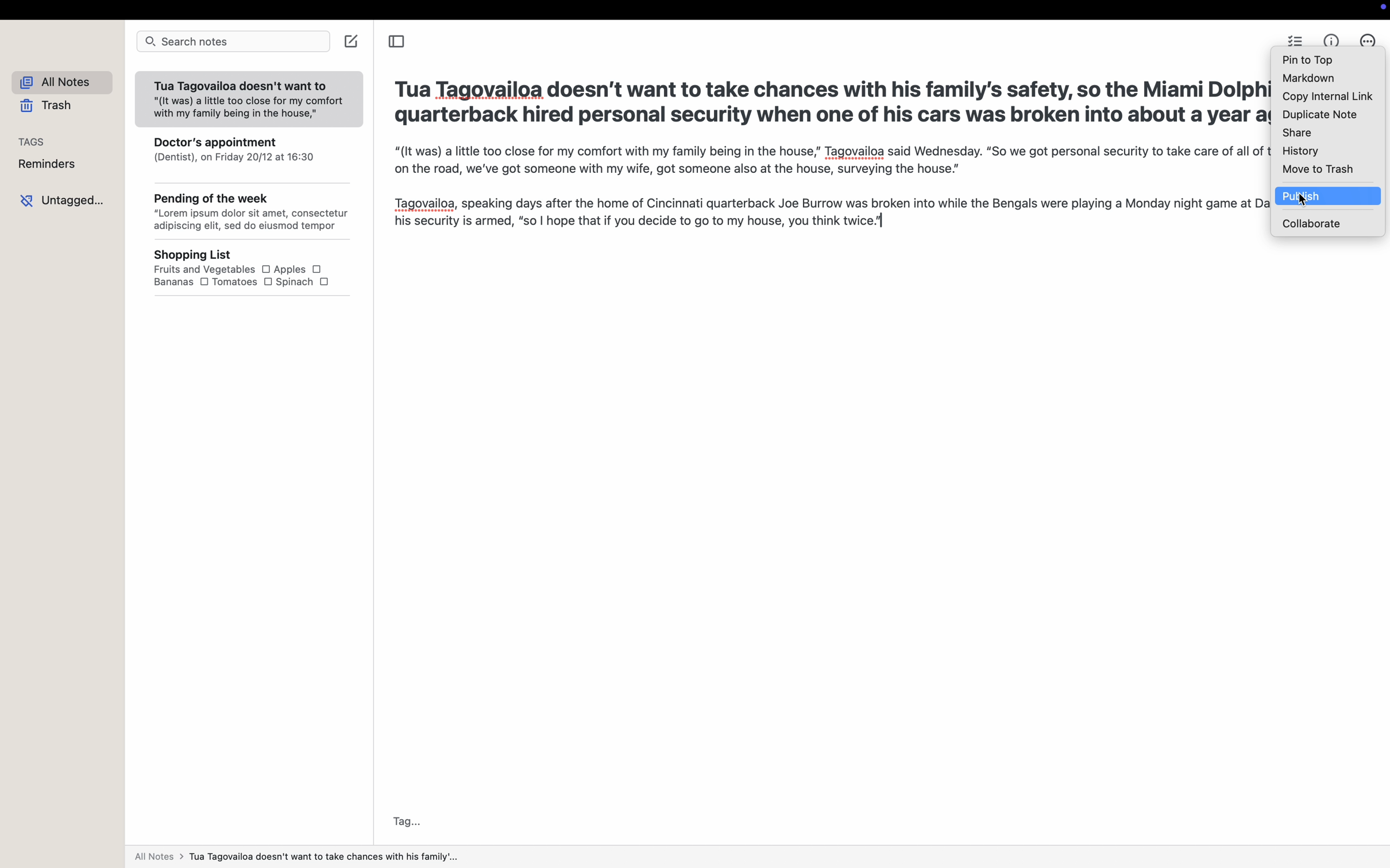  What do you see at coordinates (67, 83) in the screenshot?
I see `all notes` at bounding box center [67, 83].